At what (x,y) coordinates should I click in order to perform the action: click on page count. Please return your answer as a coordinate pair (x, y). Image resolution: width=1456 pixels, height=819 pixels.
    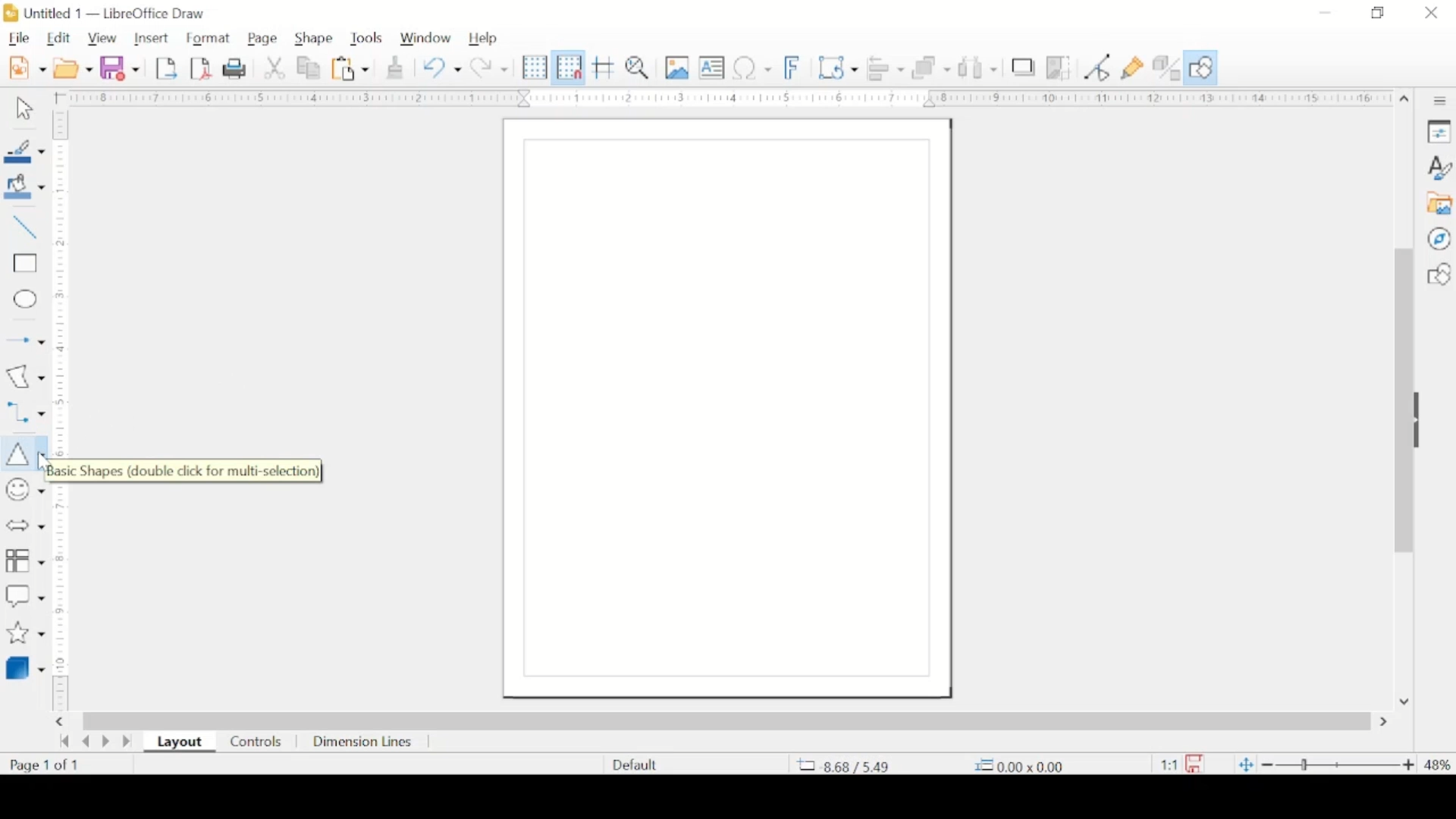
    Looking at the image, I should click on (43, 765).